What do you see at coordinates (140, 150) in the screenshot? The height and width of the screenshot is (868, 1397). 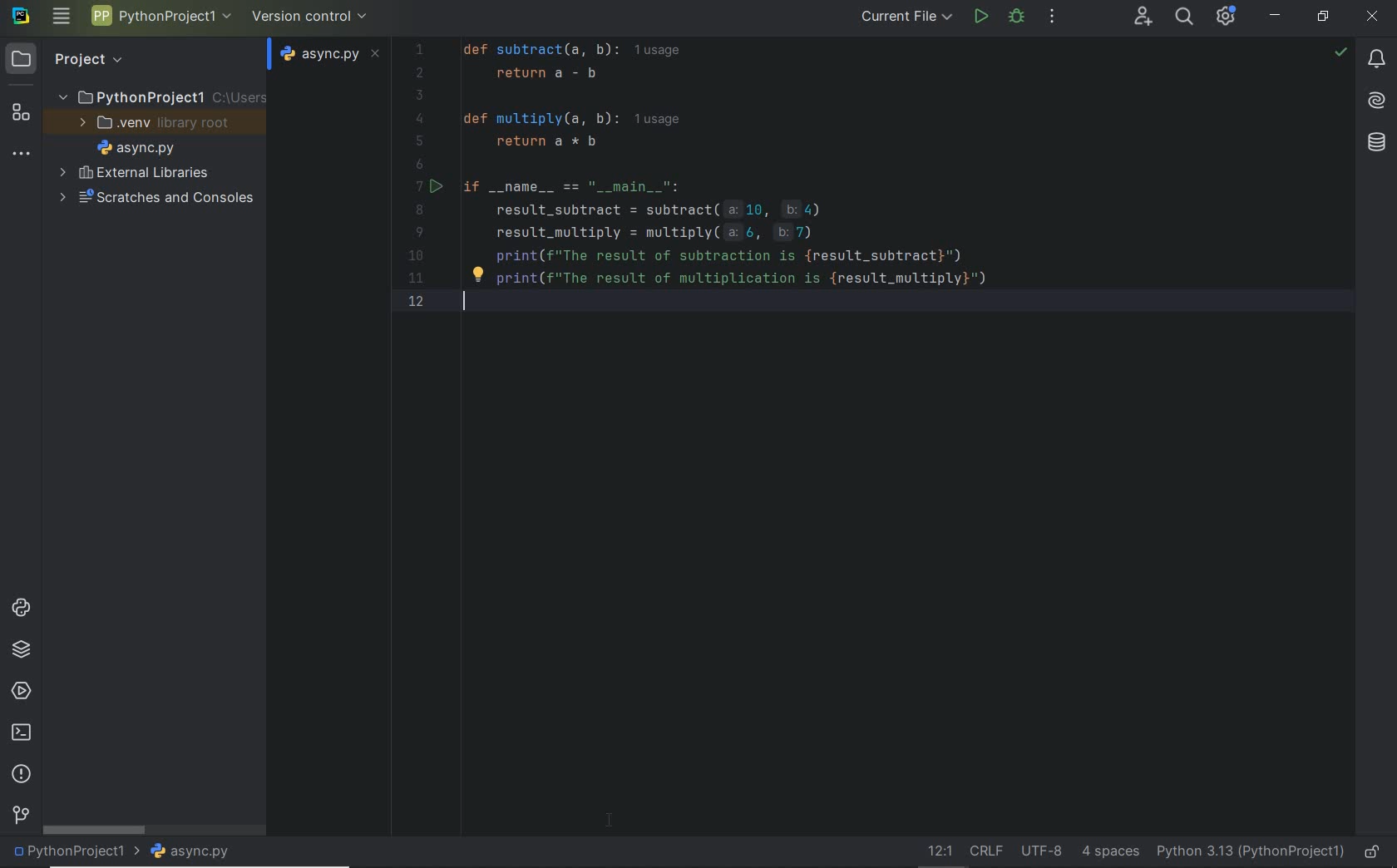 I see `file name` at bounding box center [140, 150].